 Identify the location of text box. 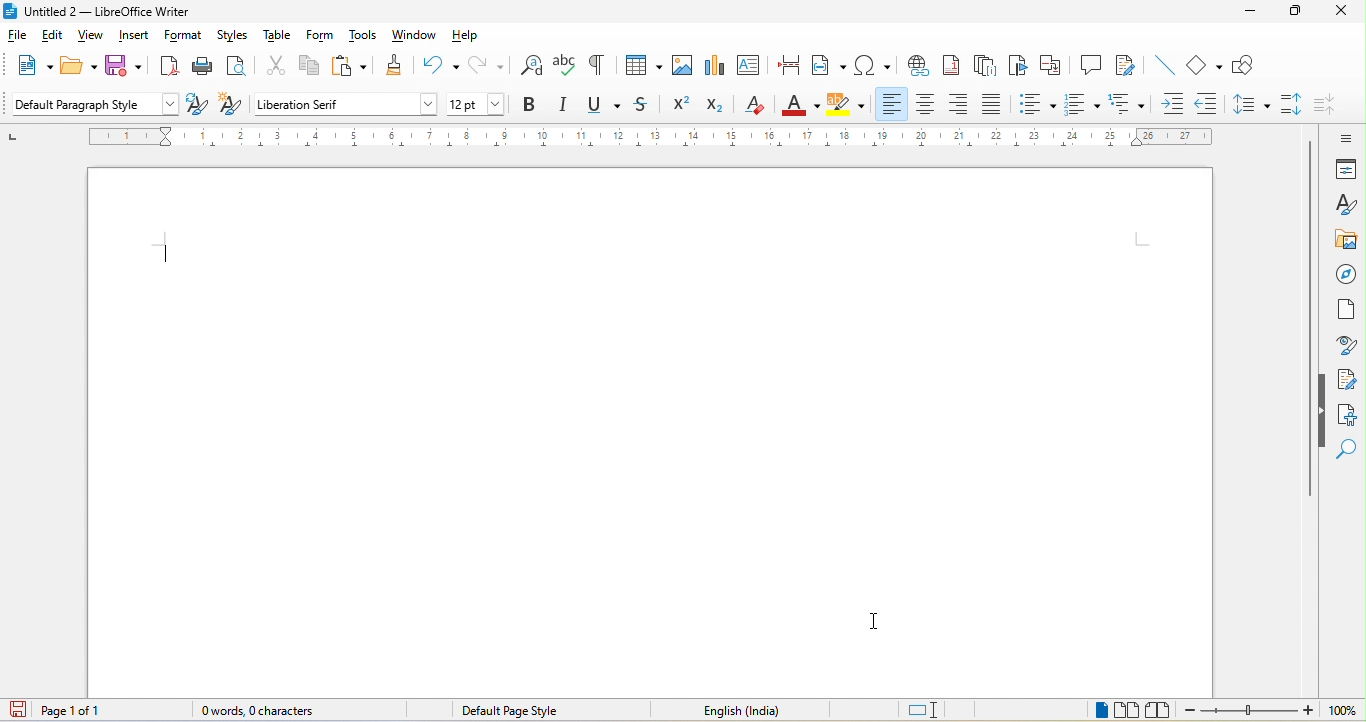
(749, 65).